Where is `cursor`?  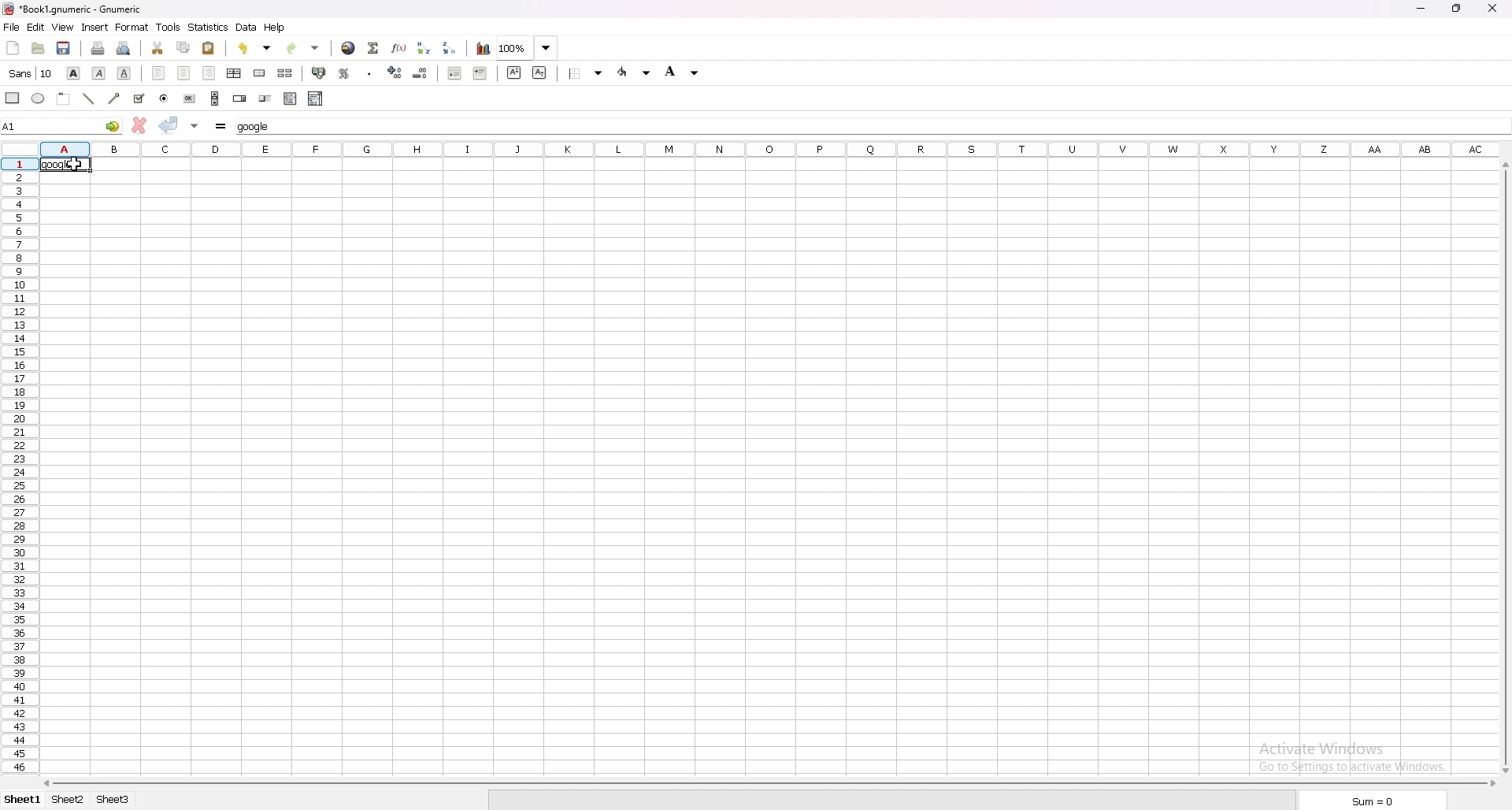
cursor is located at coordinates (79, 171).